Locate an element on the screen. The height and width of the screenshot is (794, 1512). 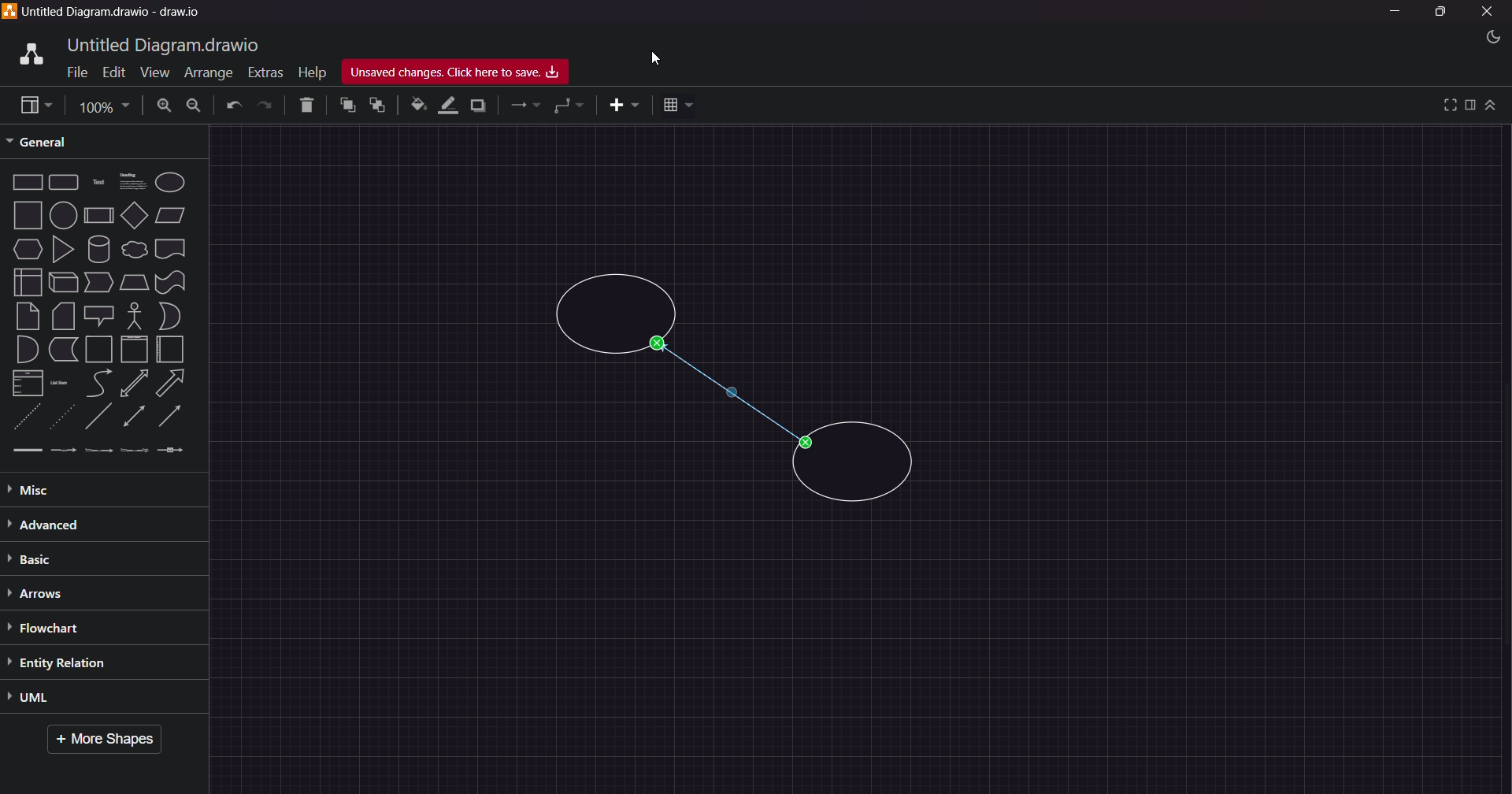
View is located at coordinates (148, 72).